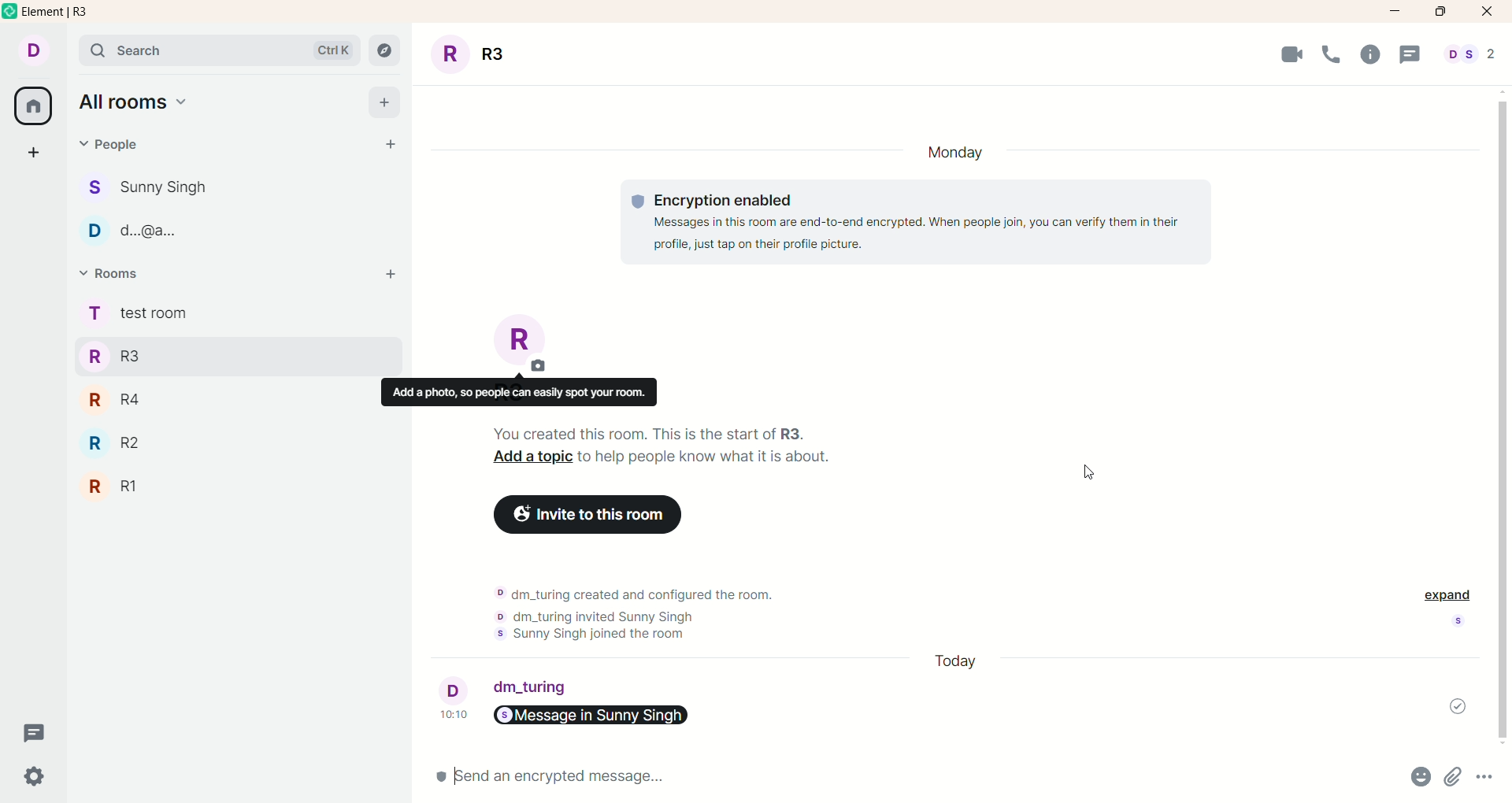  What do you see at coordinates (589, 516) in the screenshot?
I see `invite to this room` at bounding box center [589, 516].